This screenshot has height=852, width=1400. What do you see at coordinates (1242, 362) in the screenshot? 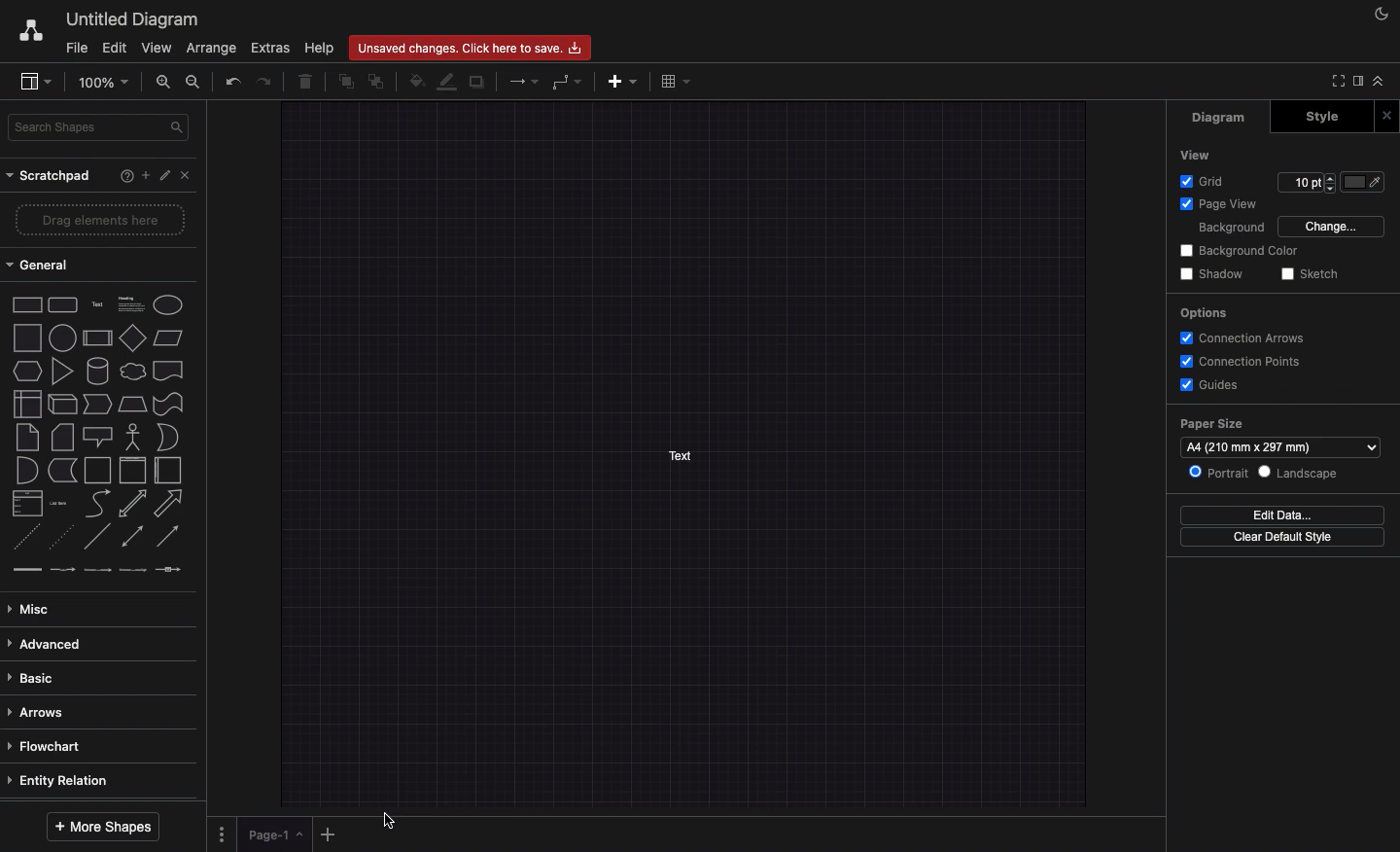
I see `Connection points ` at bounding box center [1242, 362].